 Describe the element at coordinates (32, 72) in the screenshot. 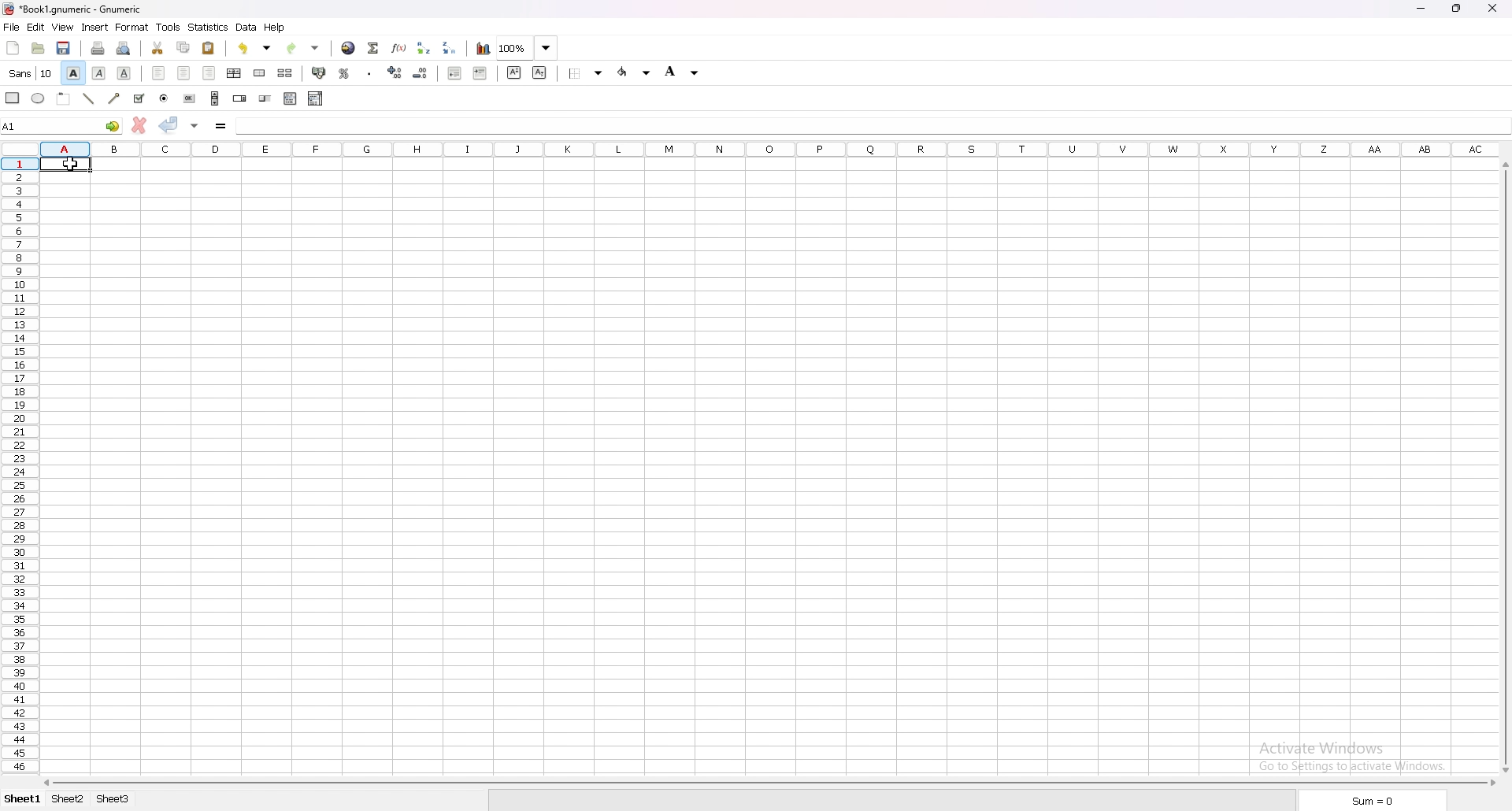

I see `font` at that location.